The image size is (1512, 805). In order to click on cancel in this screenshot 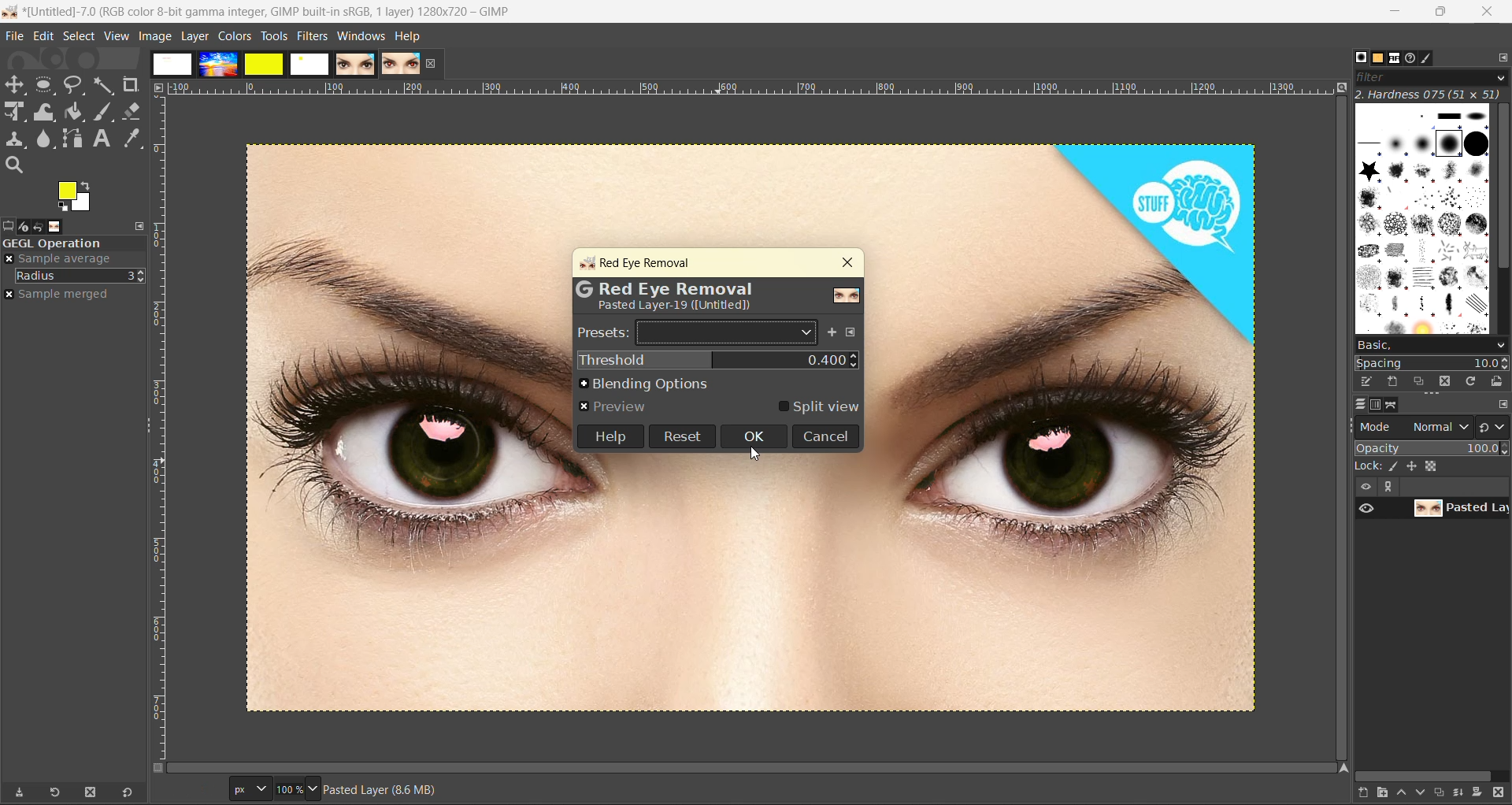, I will do `click(828, 436)`.